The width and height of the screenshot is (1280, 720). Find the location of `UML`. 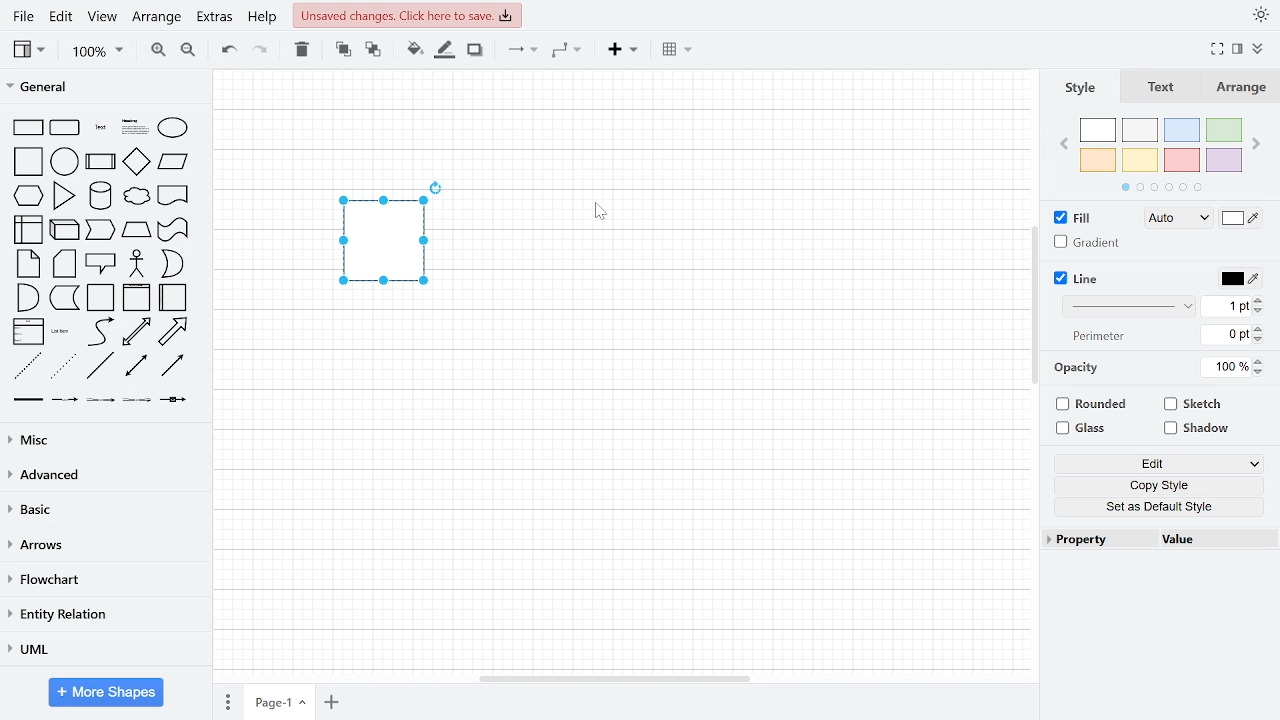

UML is located at coordinates (99, 652).